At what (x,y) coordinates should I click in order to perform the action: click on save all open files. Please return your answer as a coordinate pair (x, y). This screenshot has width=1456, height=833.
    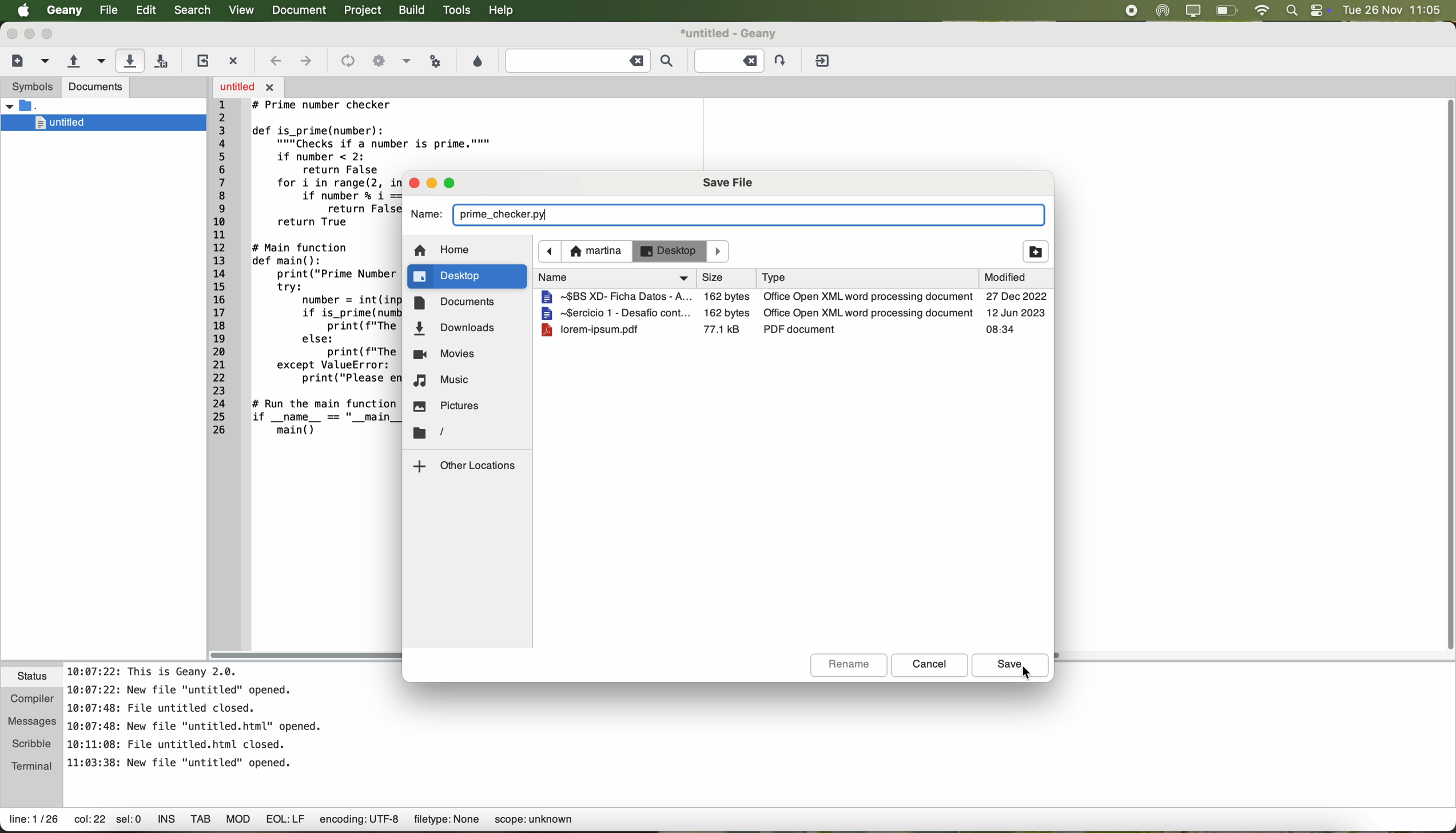
    Looking at the image, I should click on (164, 60).